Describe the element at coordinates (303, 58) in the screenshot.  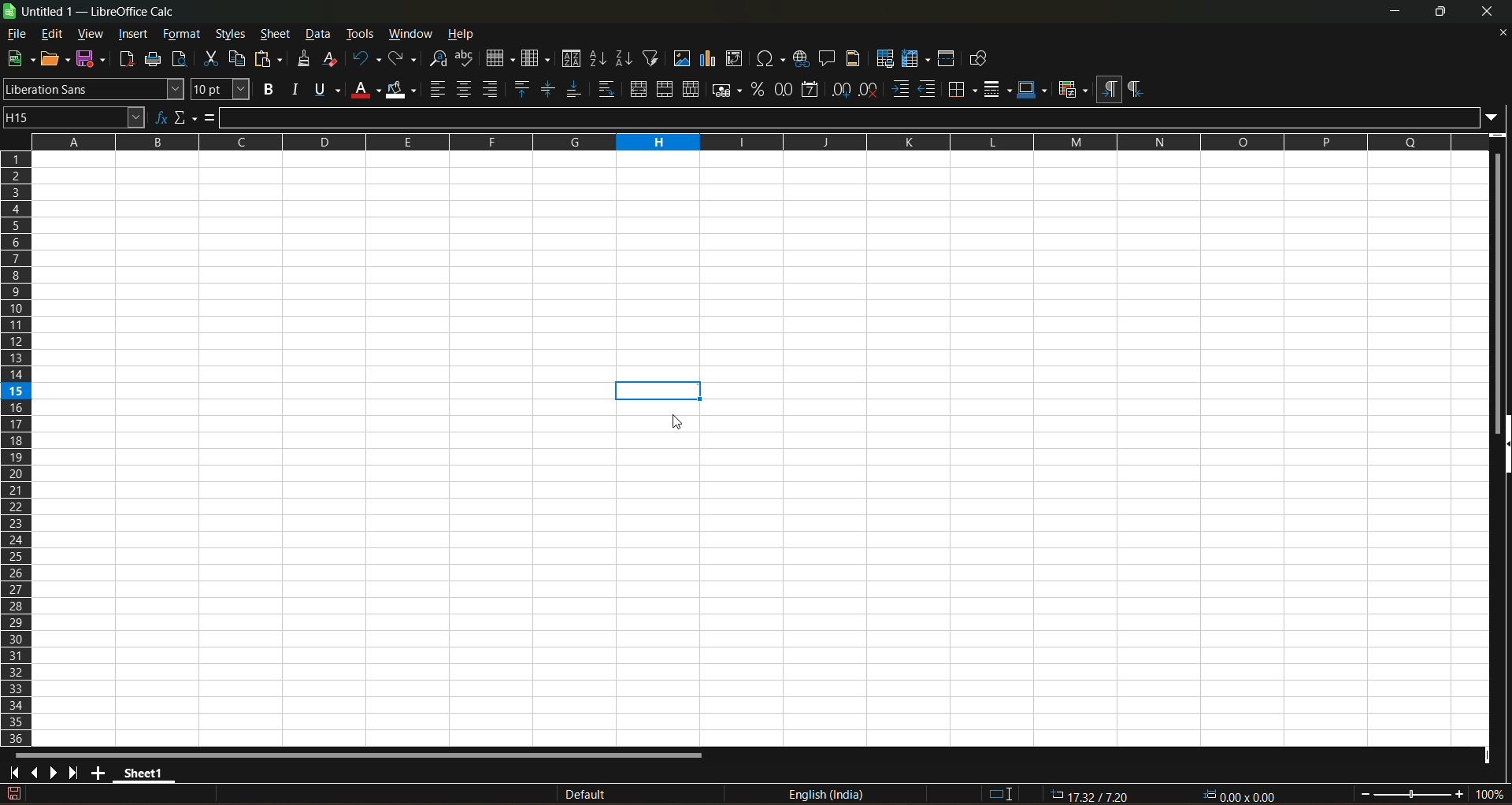
I see `clone formatting` at that location.